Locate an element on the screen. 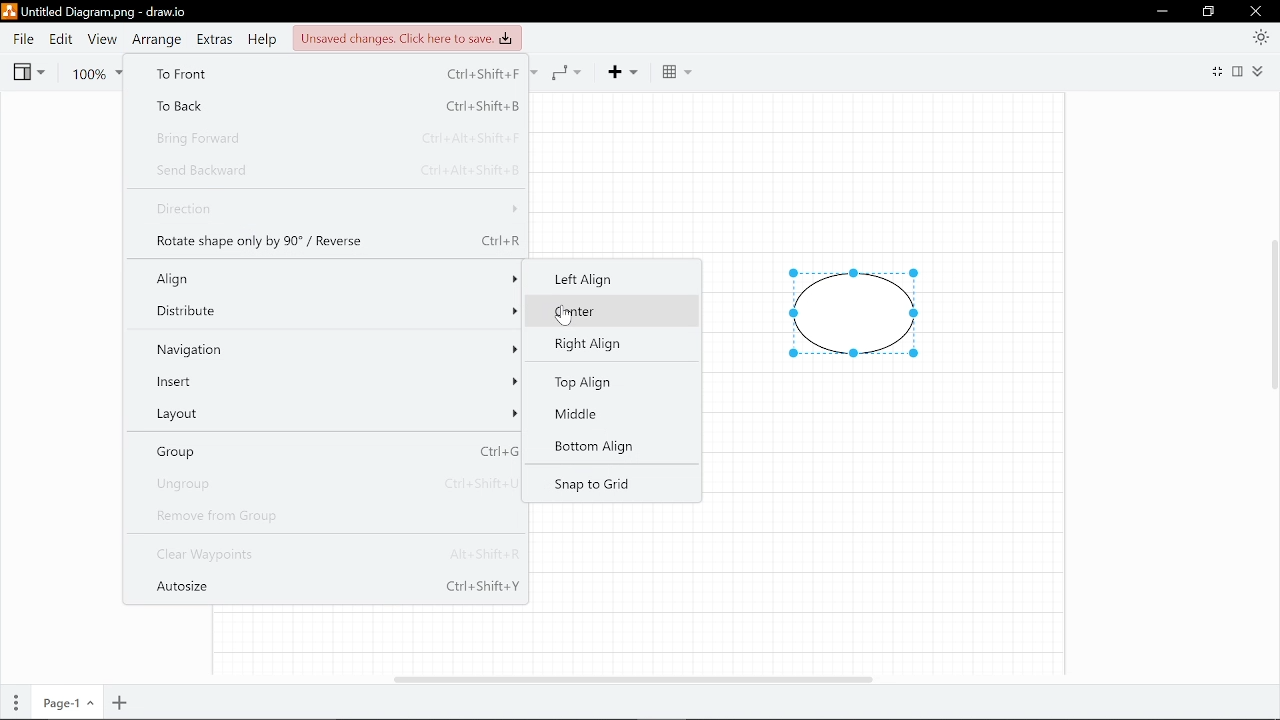 The width and height of the screenshot is (1280, 720). Unsaved changes. Click here to save is located at coordinates (405, 37).